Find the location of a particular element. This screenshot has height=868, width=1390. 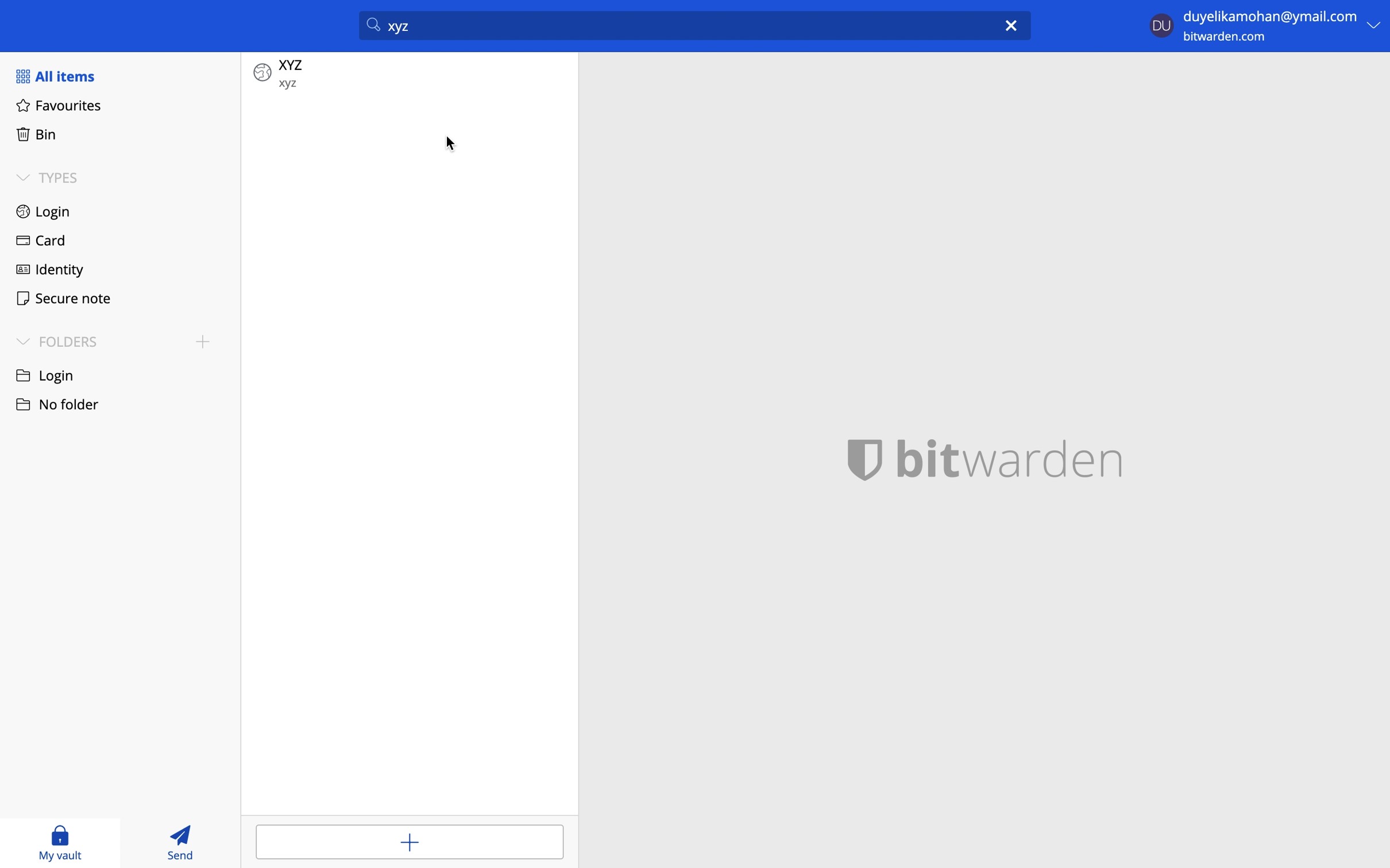

secure note is located at coordinates (69, 301).